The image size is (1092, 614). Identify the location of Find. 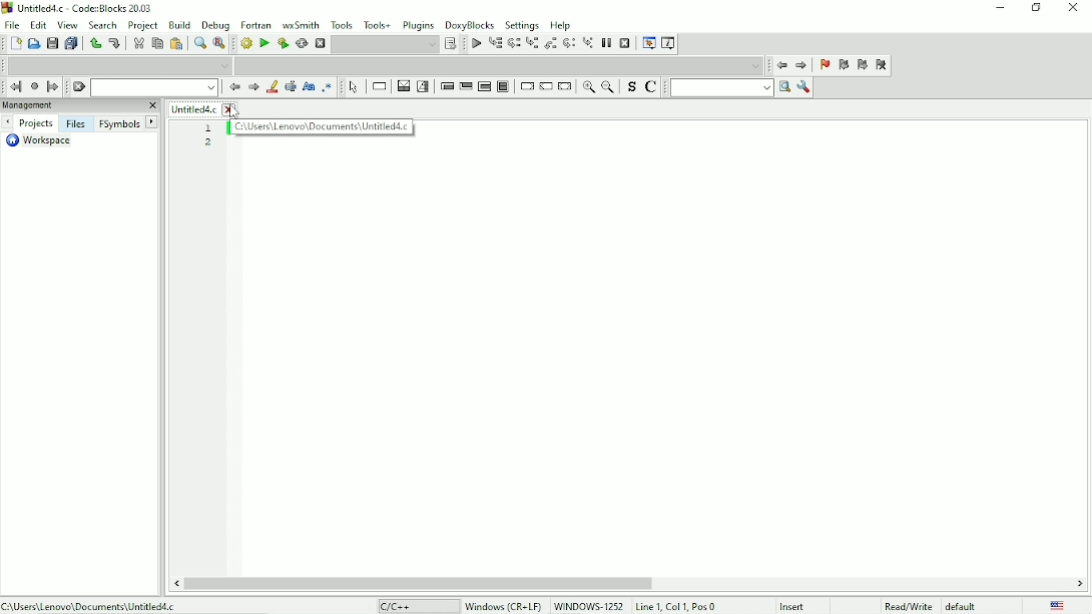
(198, 43).